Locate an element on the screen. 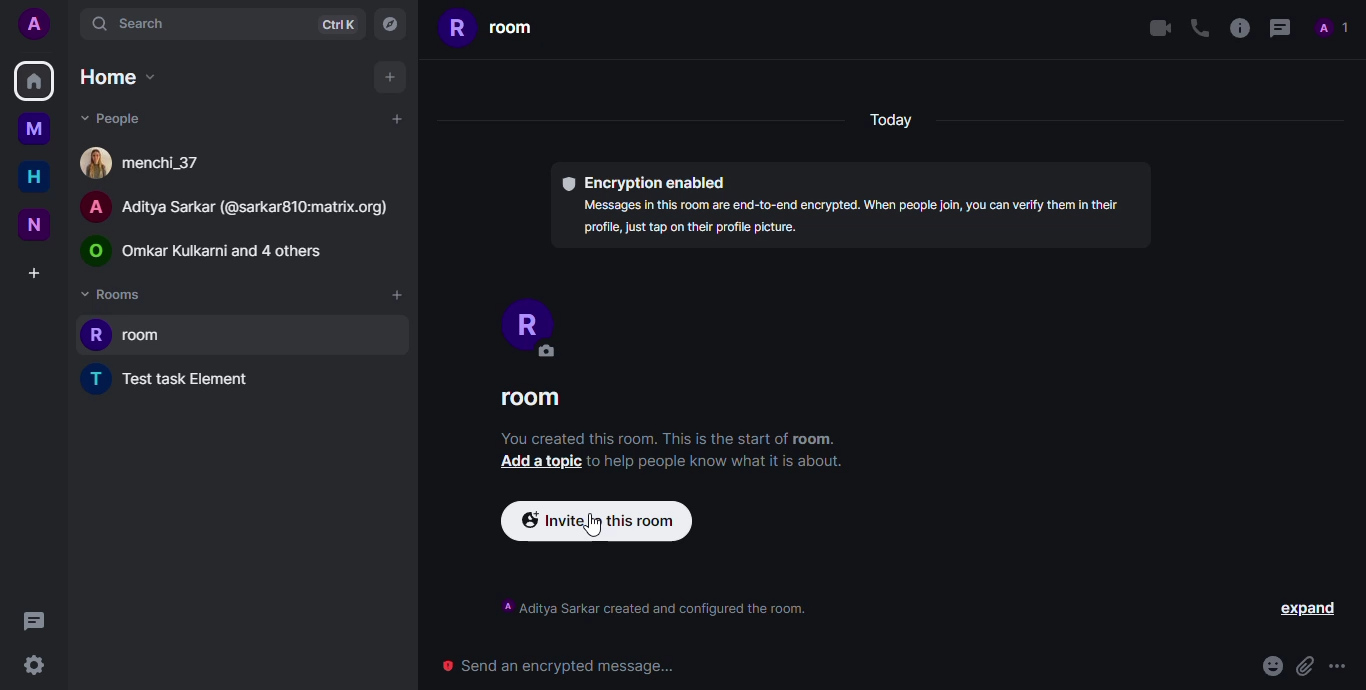 This screenshot has width=1366, height=690. threads is located at coordinates (33, 621).